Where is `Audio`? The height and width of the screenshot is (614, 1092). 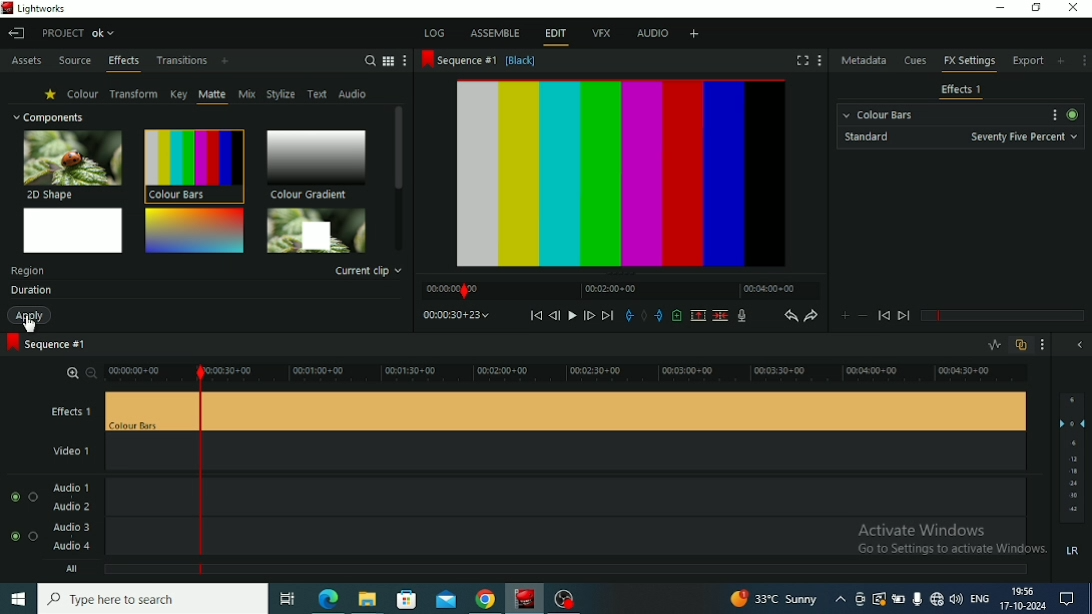
Audio is located at coordinates (354, 94).